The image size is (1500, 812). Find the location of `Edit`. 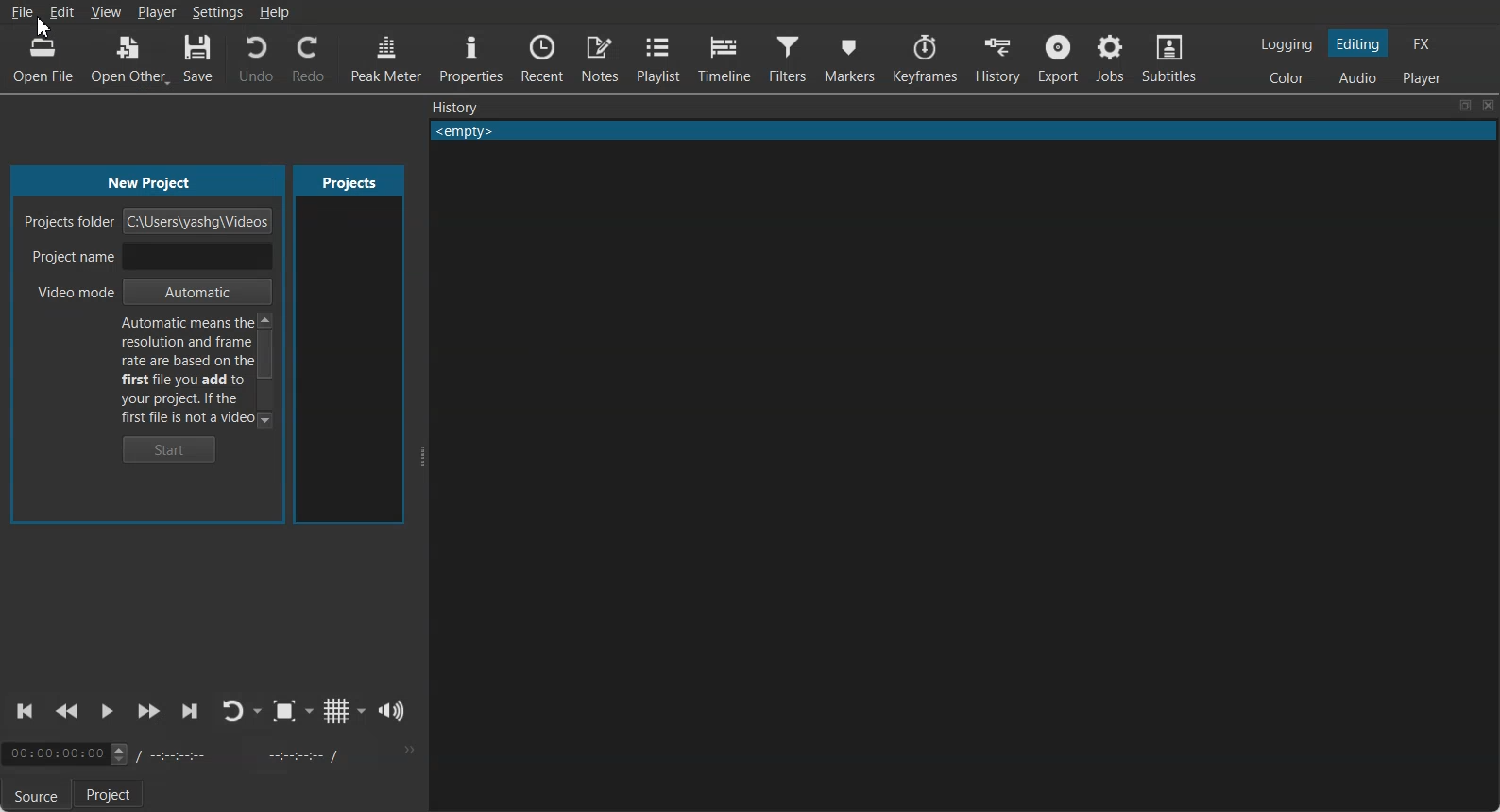

Edit is located at coordinates (61, 11).